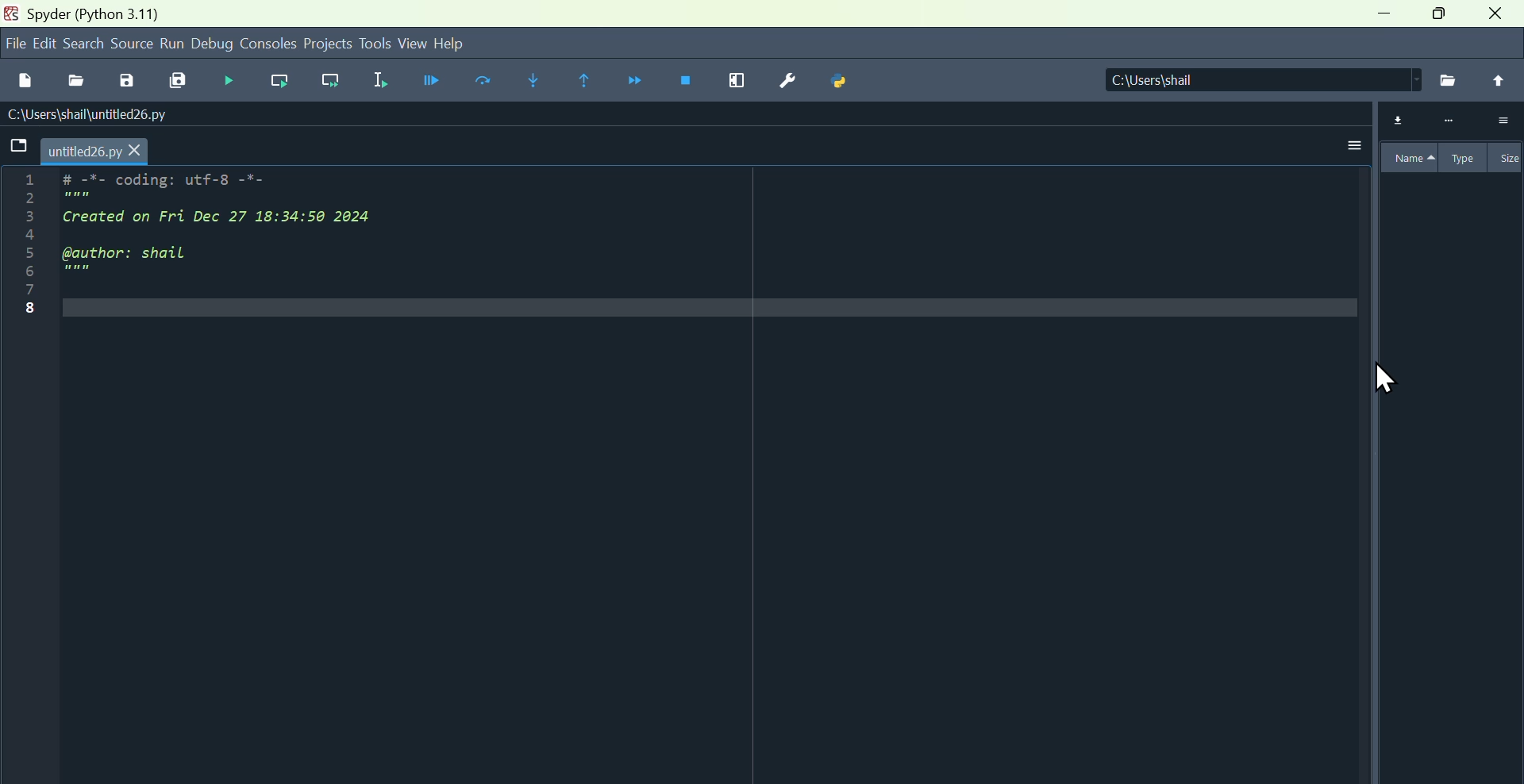  Describe the element at coordinates (132, 44) in the screenshot. I see `Source` at that location.